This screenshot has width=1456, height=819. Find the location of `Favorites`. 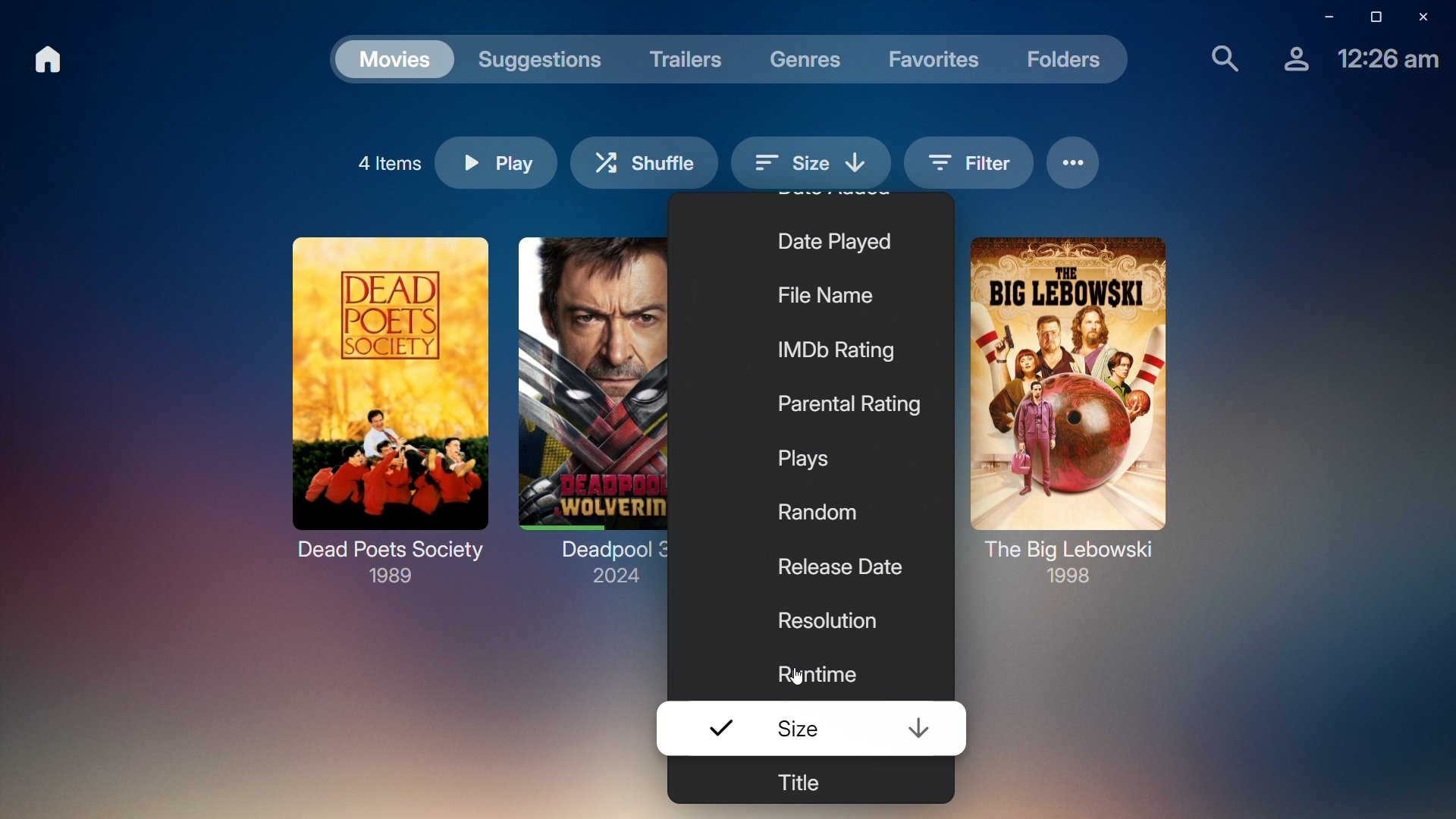

Favorites is located at coordinates (936, 59).